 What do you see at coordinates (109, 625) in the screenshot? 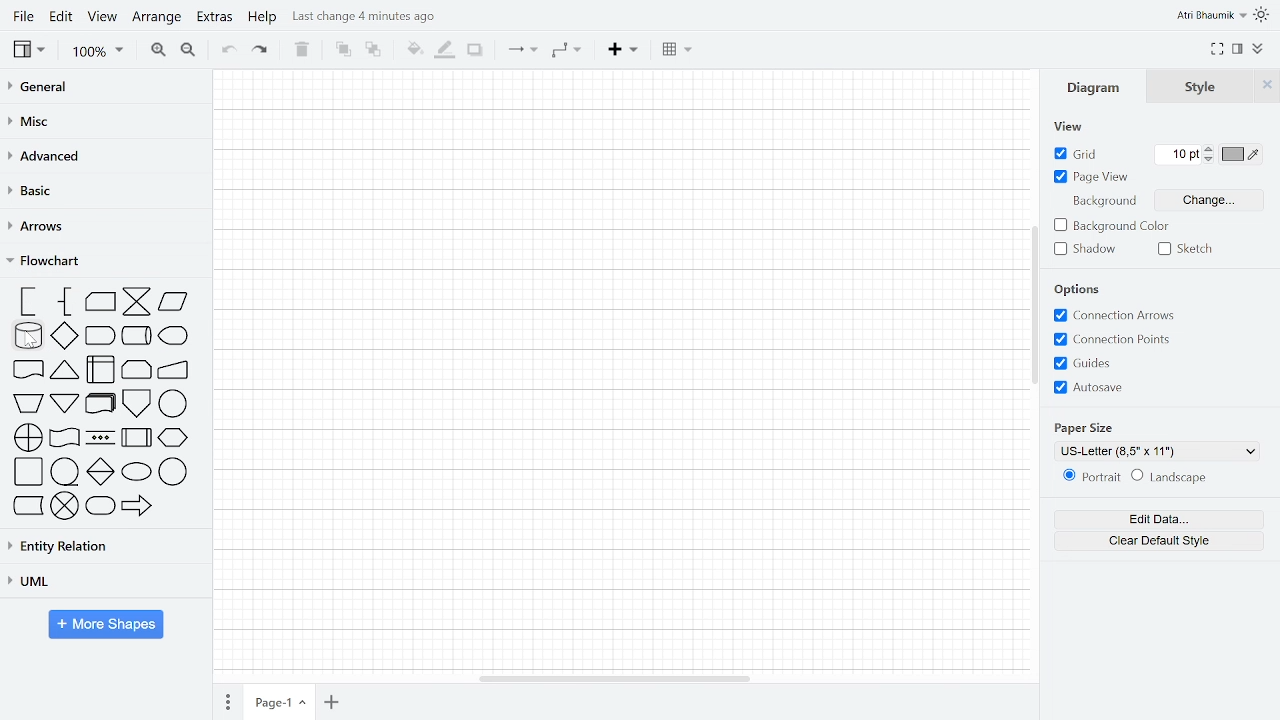
I see `More shapes` at bounding box center [109, 625].